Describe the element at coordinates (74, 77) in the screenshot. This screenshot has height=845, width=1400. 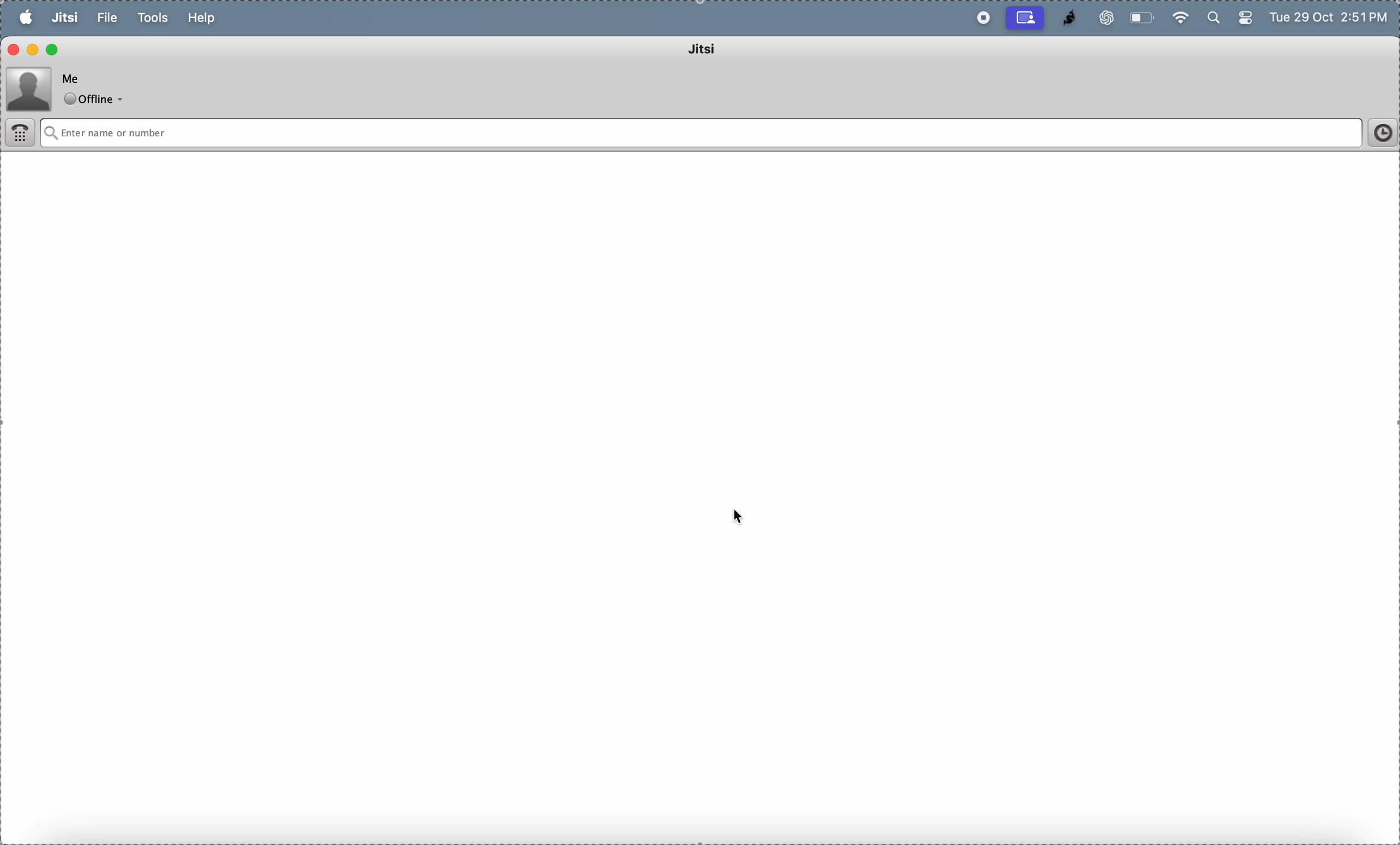
I see `Me` at that location.